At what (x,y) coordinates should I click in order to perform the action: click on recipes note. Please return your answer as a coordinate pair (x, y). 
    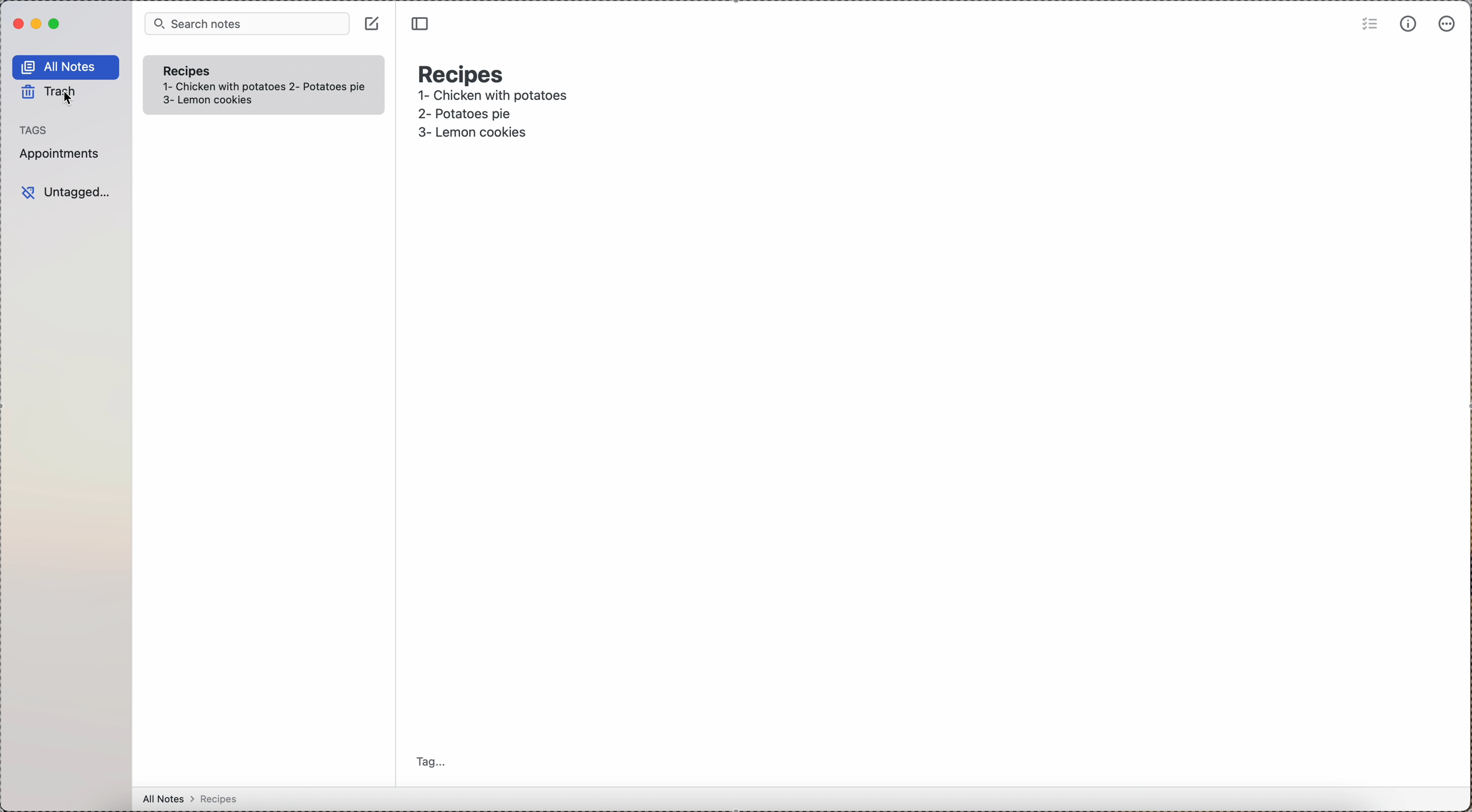
    Looking at the image, I should click on (195, 70).